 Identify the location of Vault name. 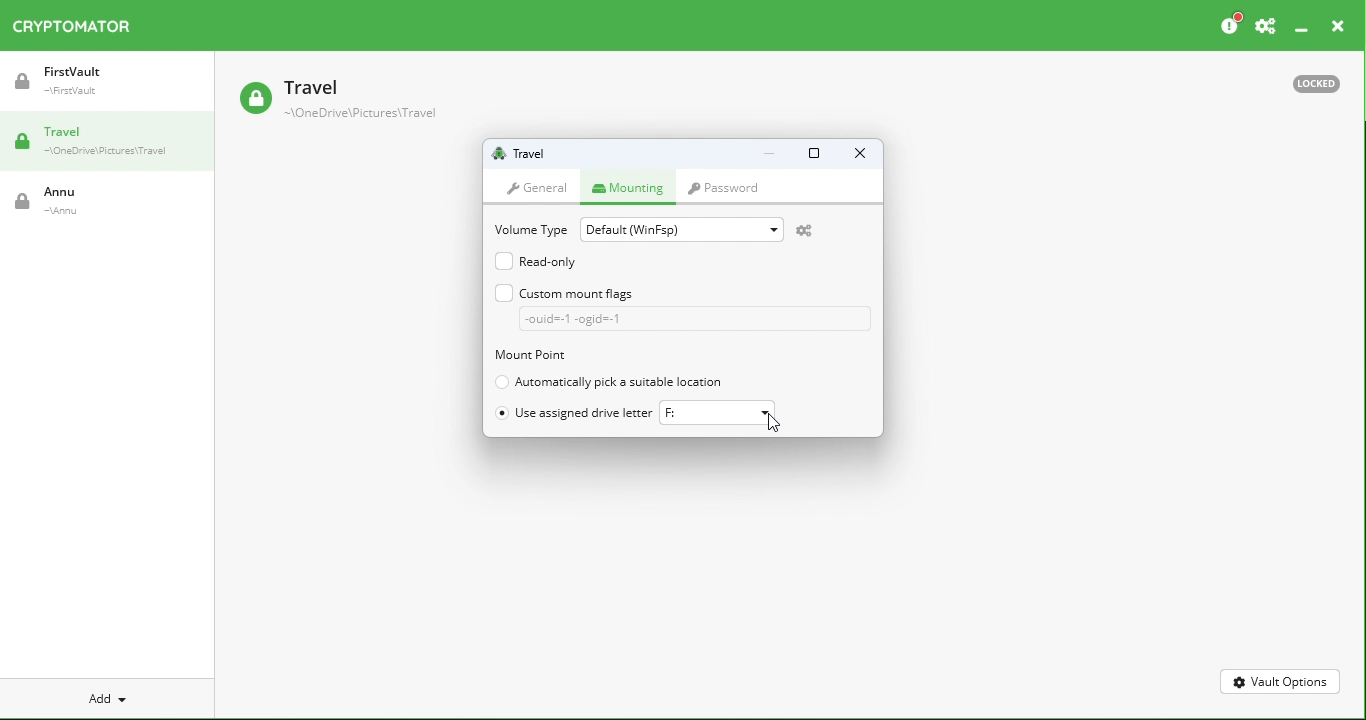
(530, 153).